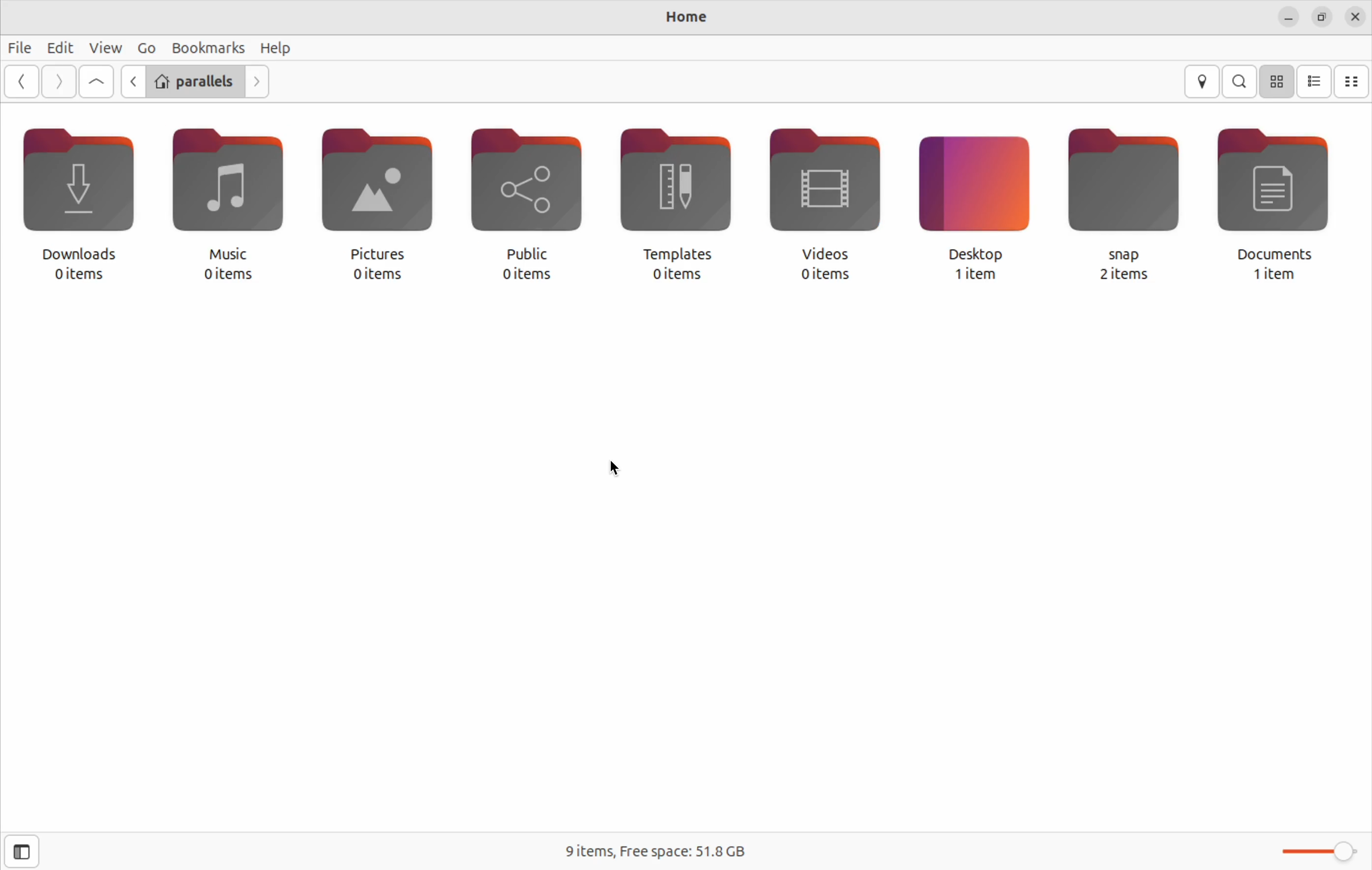 Image resolution: width=1372 pixels, height=870 pixels. I want to click on resize, so click(1321, 18).